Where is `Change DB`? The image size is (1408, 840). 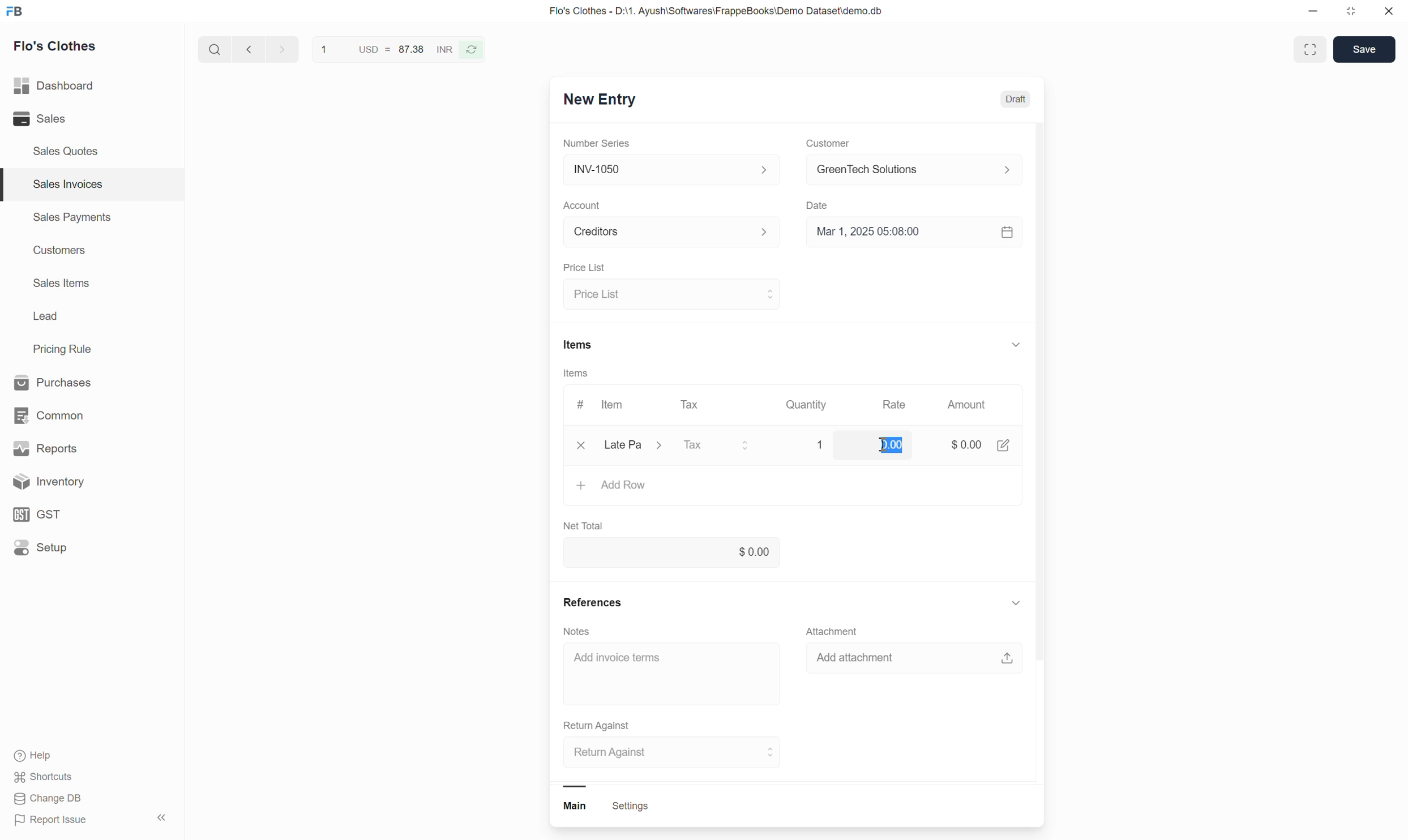 Change DB is located at coordinates (50, 800).